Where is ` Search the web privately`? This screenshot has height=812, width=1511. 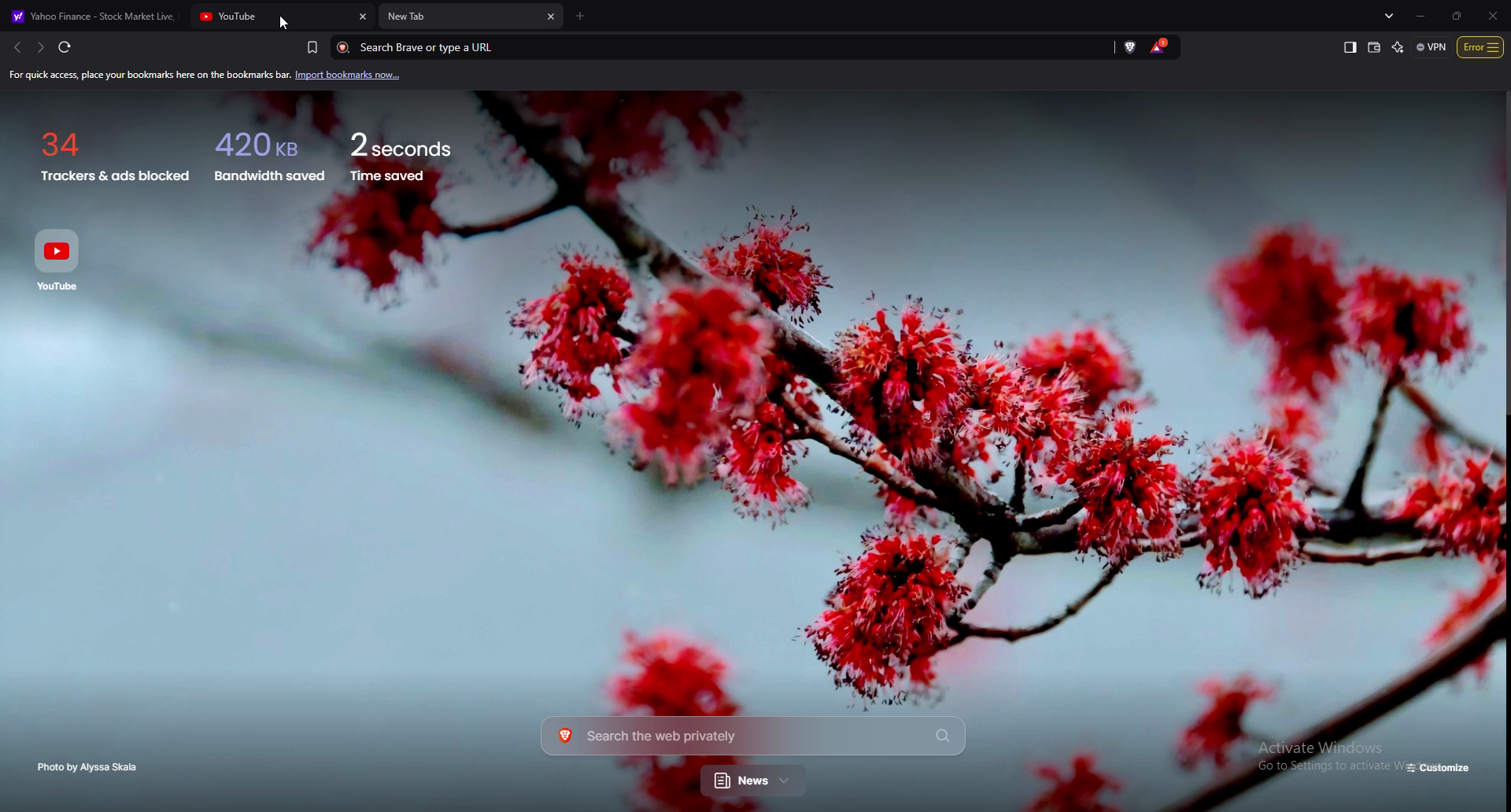
 Search the web privately is located at coordinates (752, 735).